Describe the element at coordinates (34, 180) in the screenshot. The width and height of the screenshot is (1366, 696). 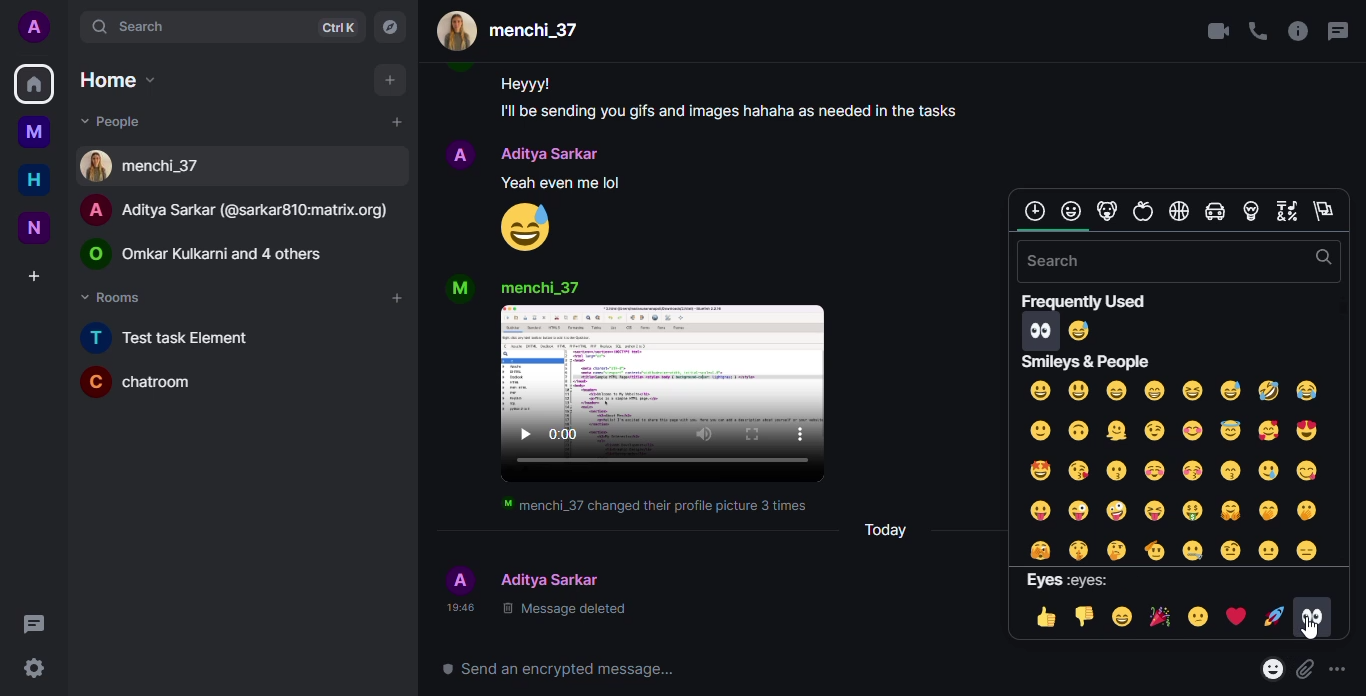
I see `home` at that location.